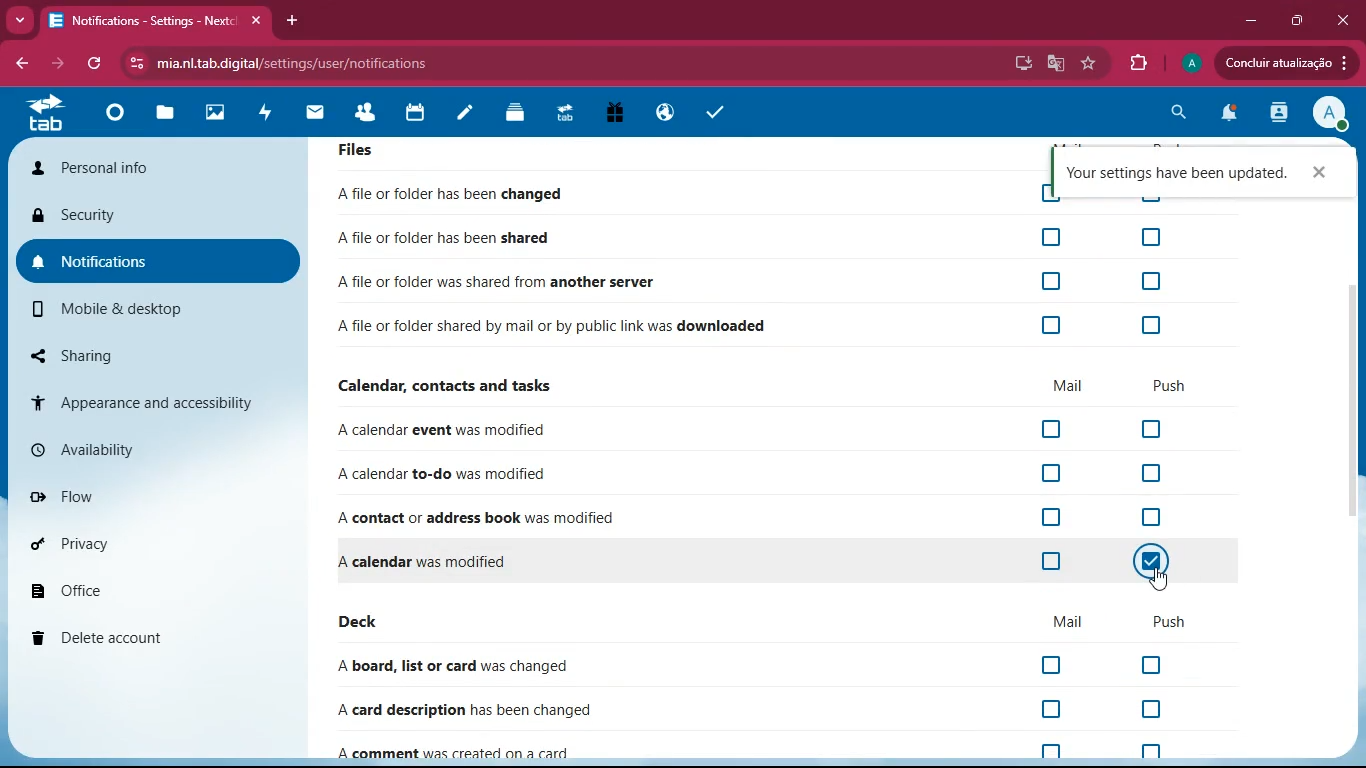 The height and width of the screenshot is (768, 1366). I want to click on file changed, so click(457, 193).